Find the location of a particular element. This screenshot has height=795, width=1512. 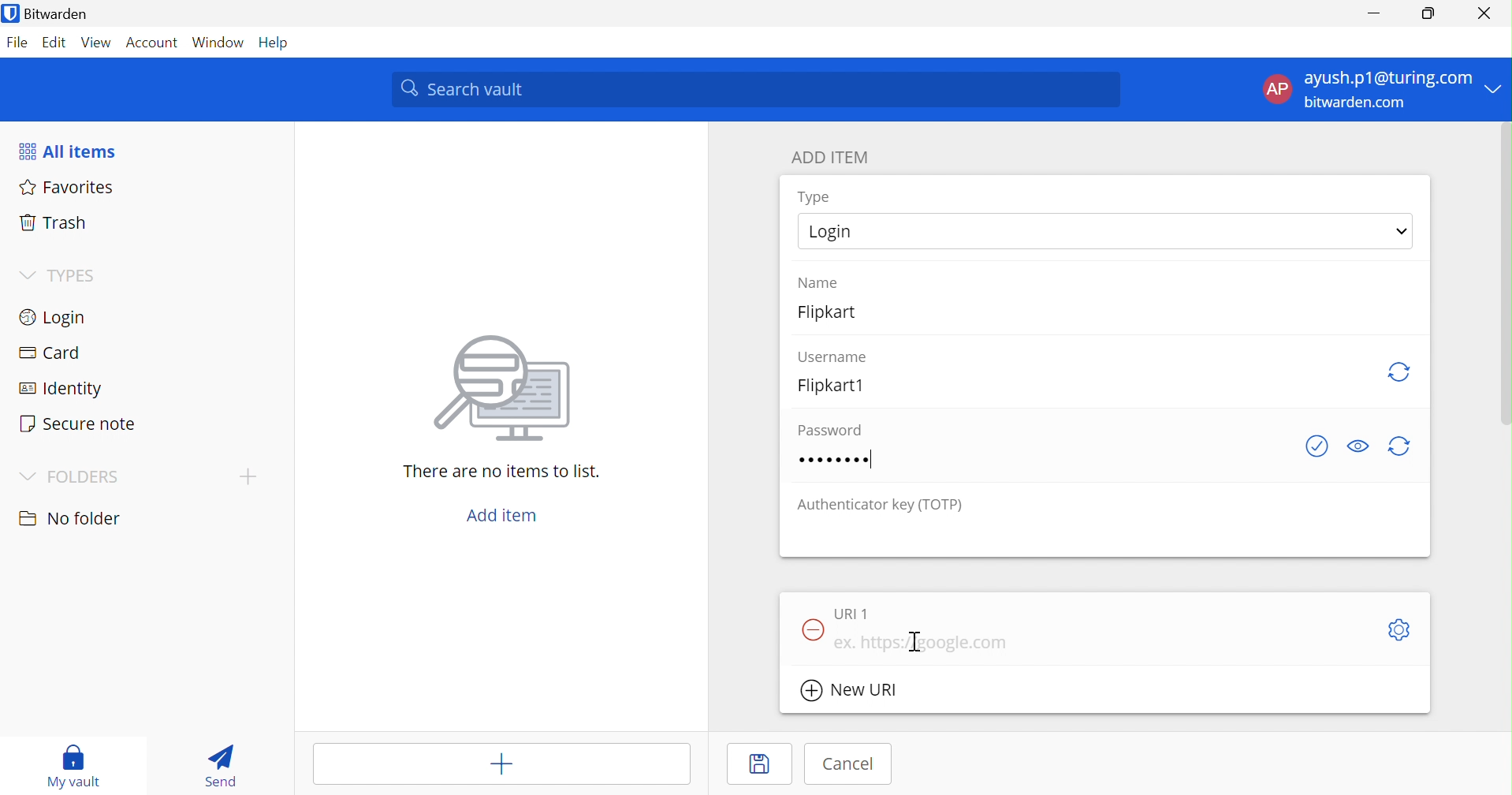

TYPES is located at coordinates (75, 275).